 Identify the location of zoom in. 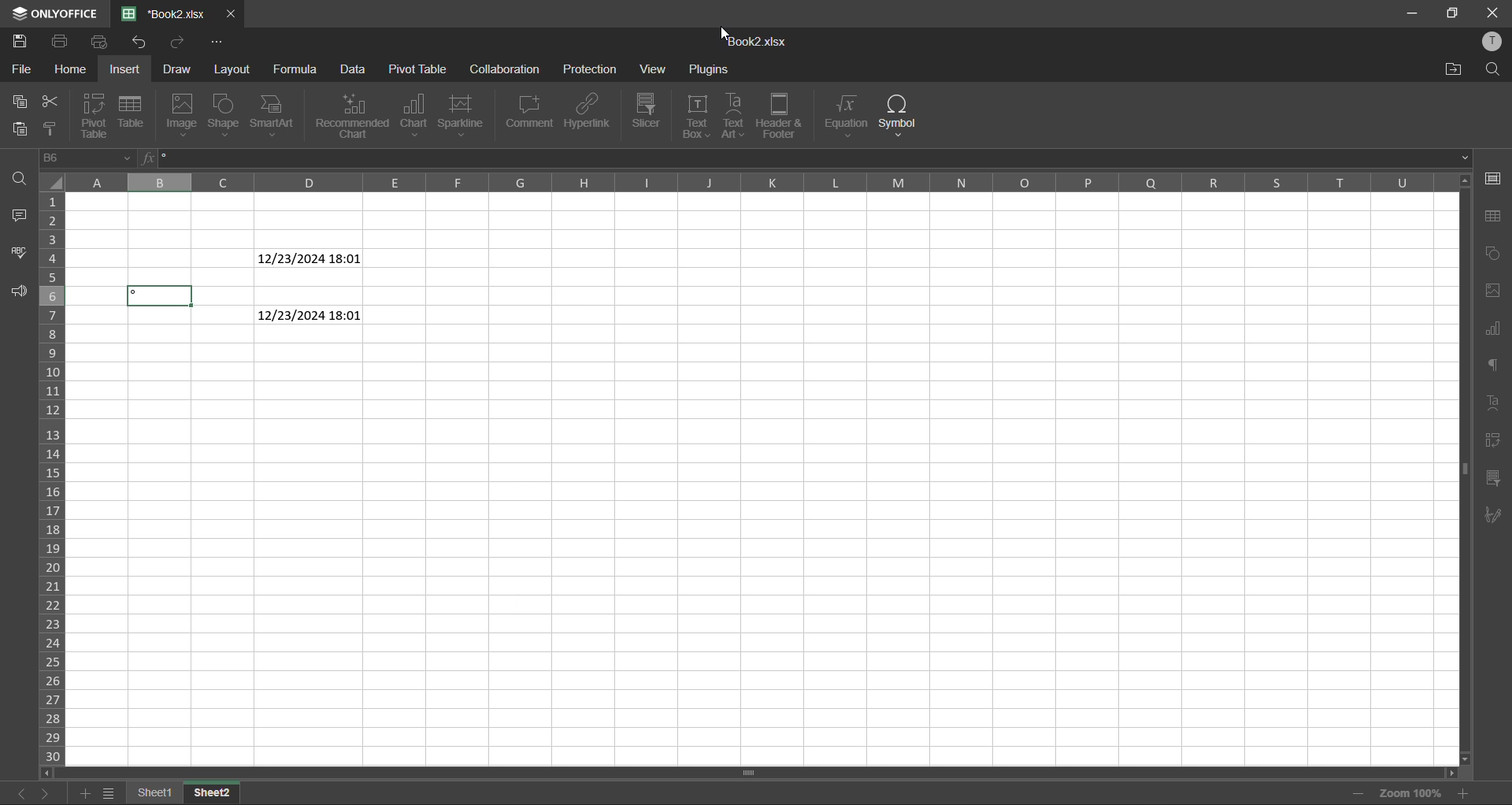
(1459, 793).